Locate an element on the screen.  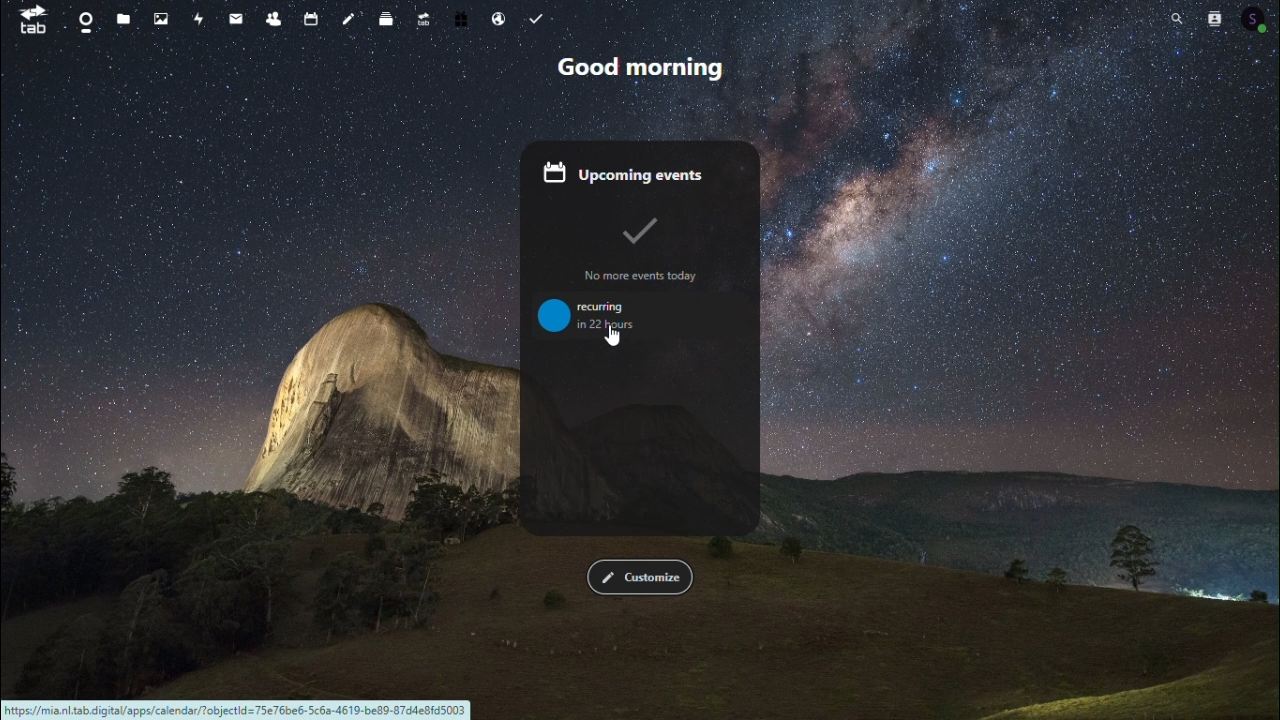
in 22 hours is located at coordinates (605, 325).